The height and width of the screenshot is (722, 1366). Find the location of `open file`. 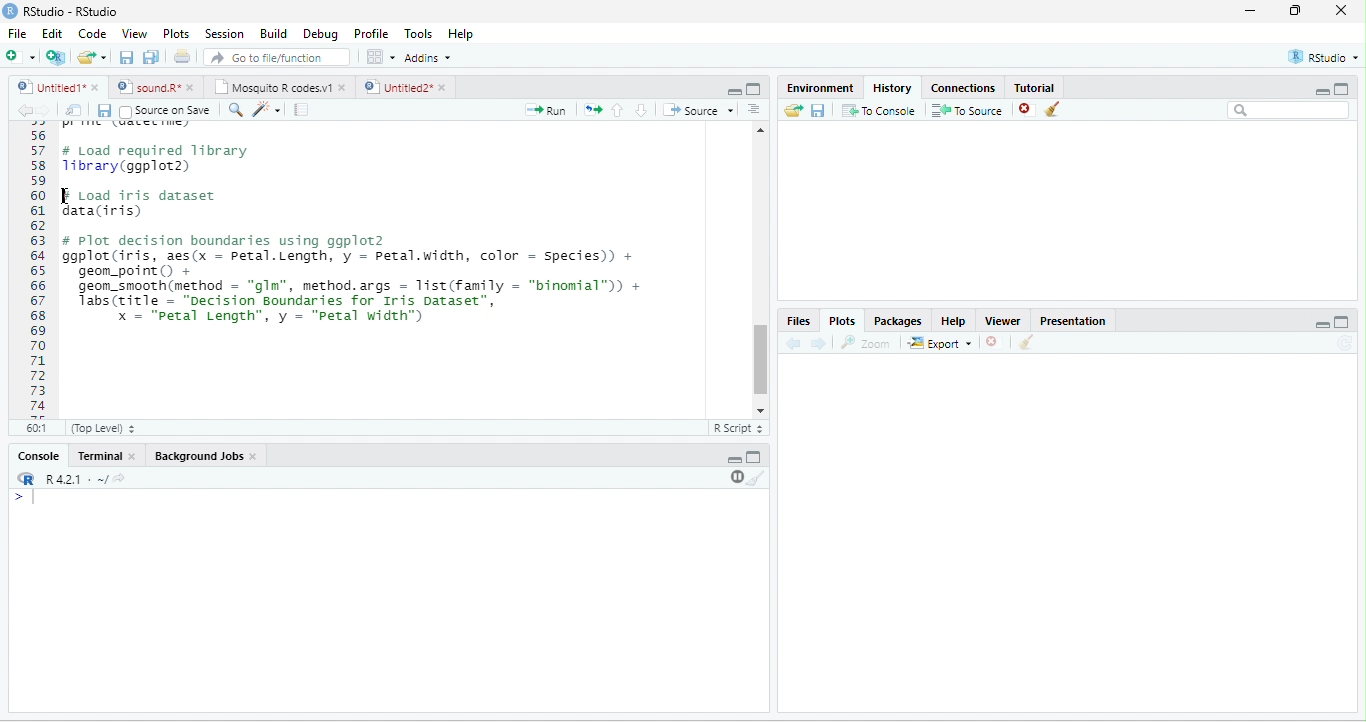

open file is located at coordinates (92, 57).